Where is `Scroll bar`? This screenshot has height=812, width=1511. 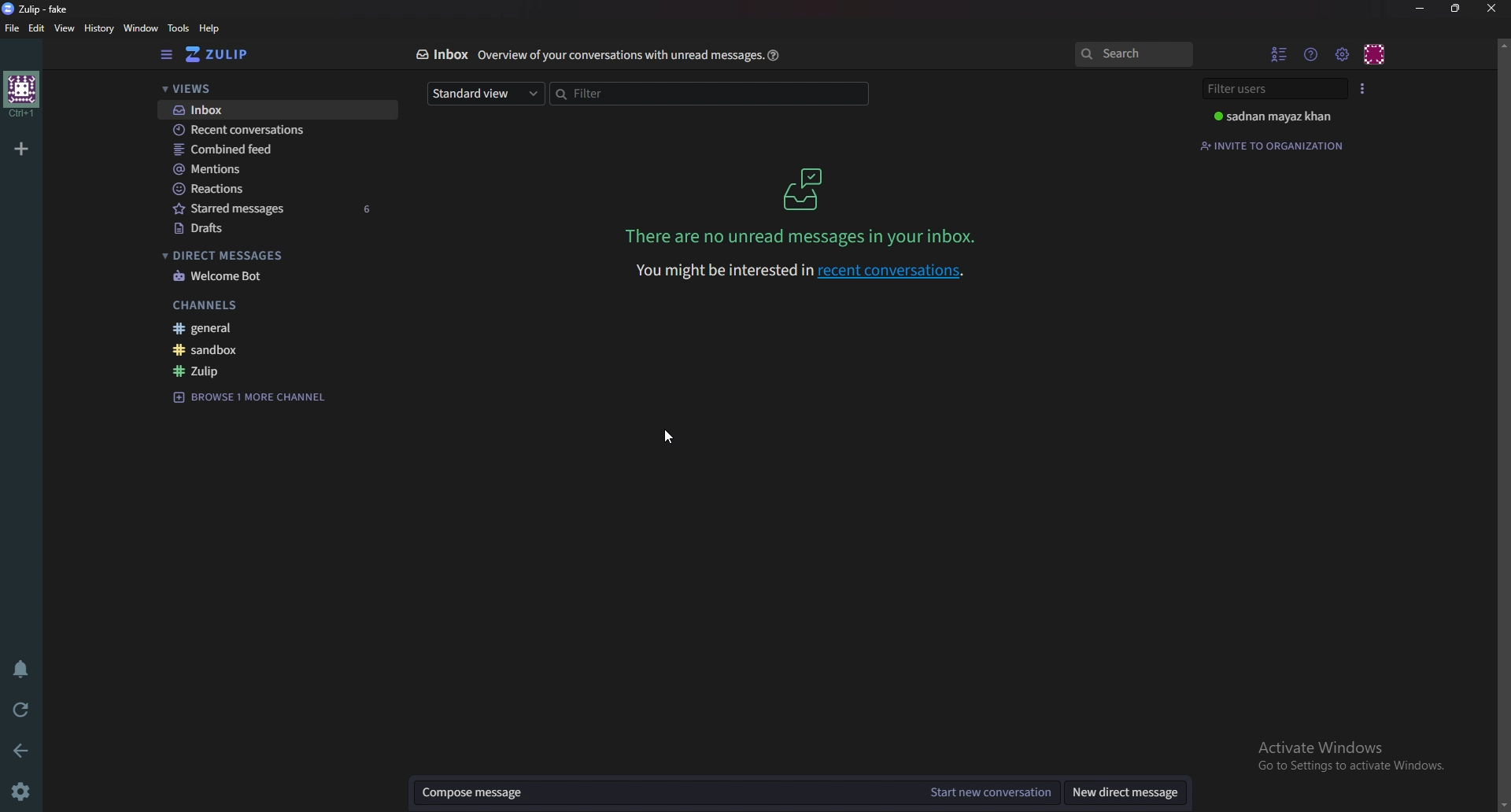 Scroll bar is located at coordinates (1504, 423).